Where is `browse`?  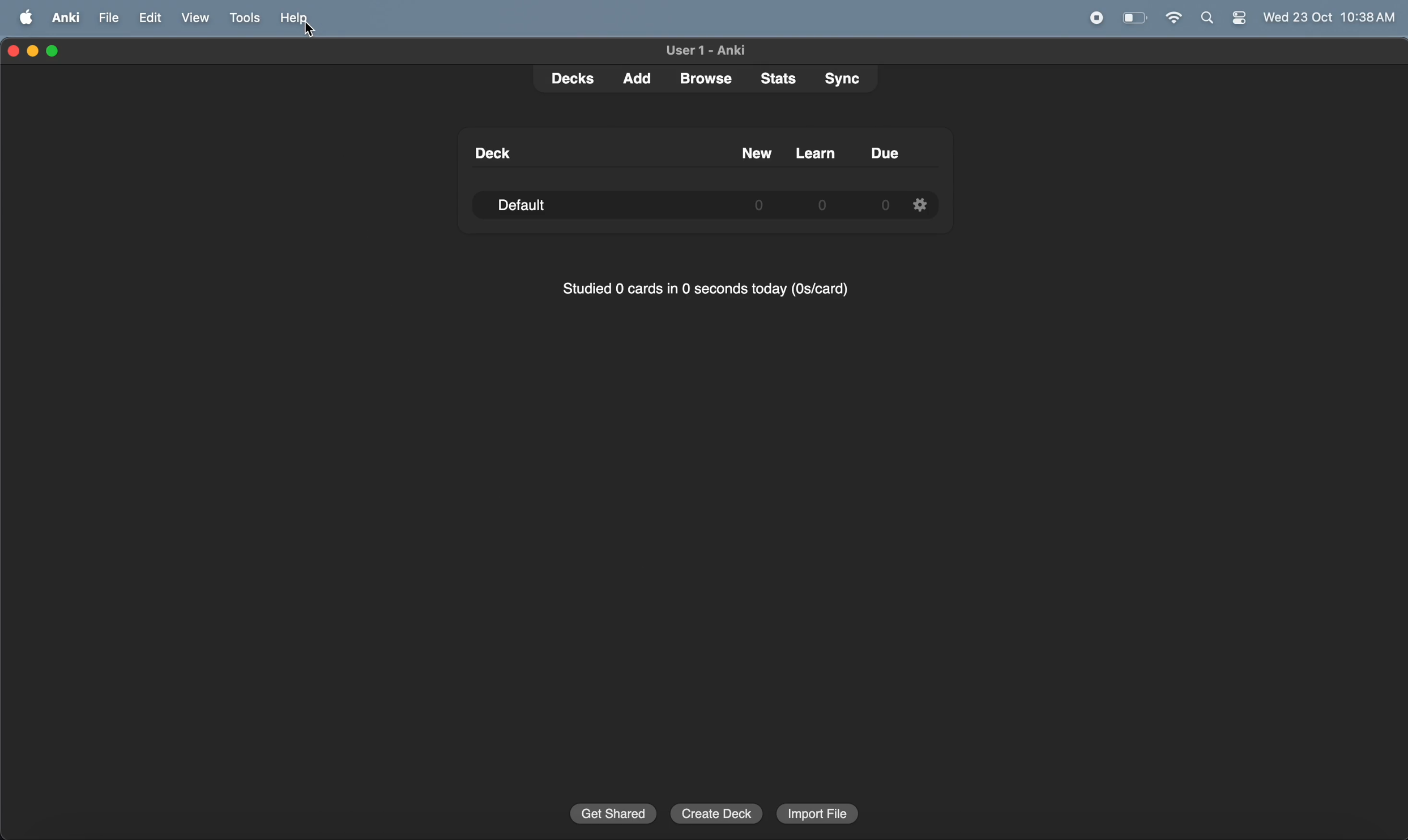
browse is located at coordinates (703, 78).